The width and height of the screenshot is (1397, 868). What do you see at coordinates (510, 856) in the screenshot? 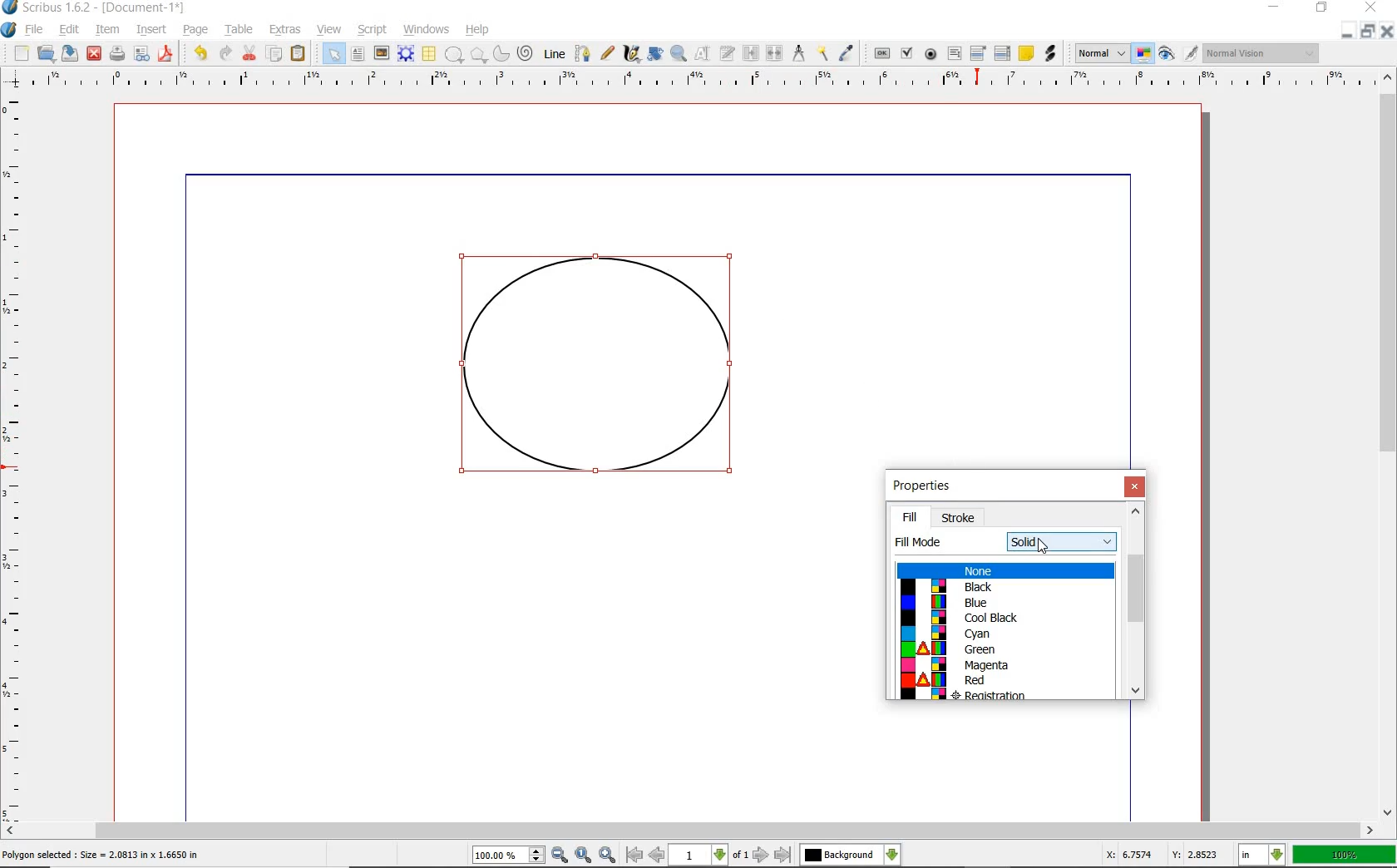
I see `zoom ` at bounding box center [510, 856].